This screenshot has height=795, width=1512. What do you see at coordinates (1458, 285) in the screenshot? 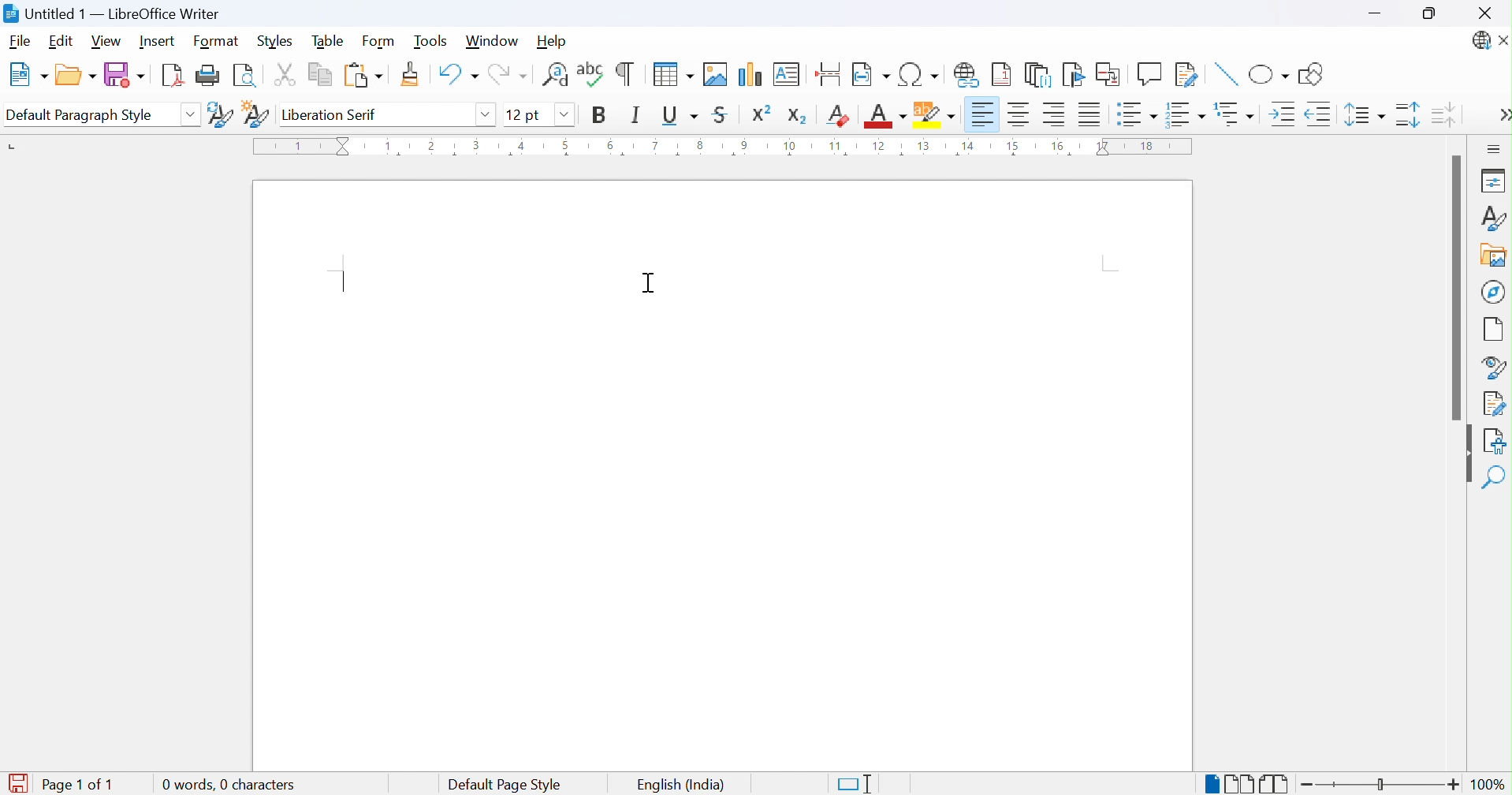
I see `Scroll bar` at bounding box center [1458, 285].